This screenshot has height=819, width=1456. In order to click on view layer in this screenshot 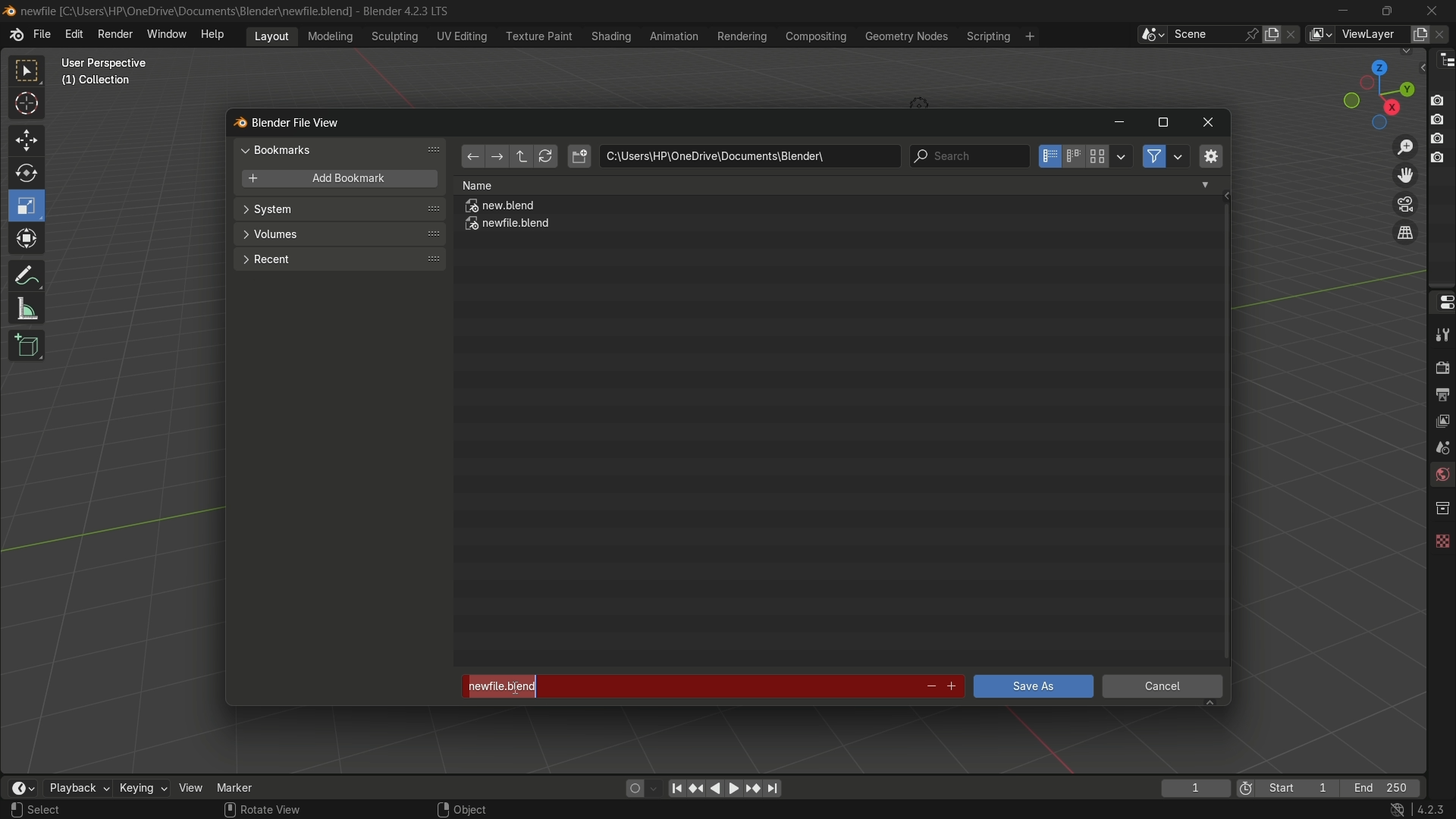, I will do `click(1441, 419)`.